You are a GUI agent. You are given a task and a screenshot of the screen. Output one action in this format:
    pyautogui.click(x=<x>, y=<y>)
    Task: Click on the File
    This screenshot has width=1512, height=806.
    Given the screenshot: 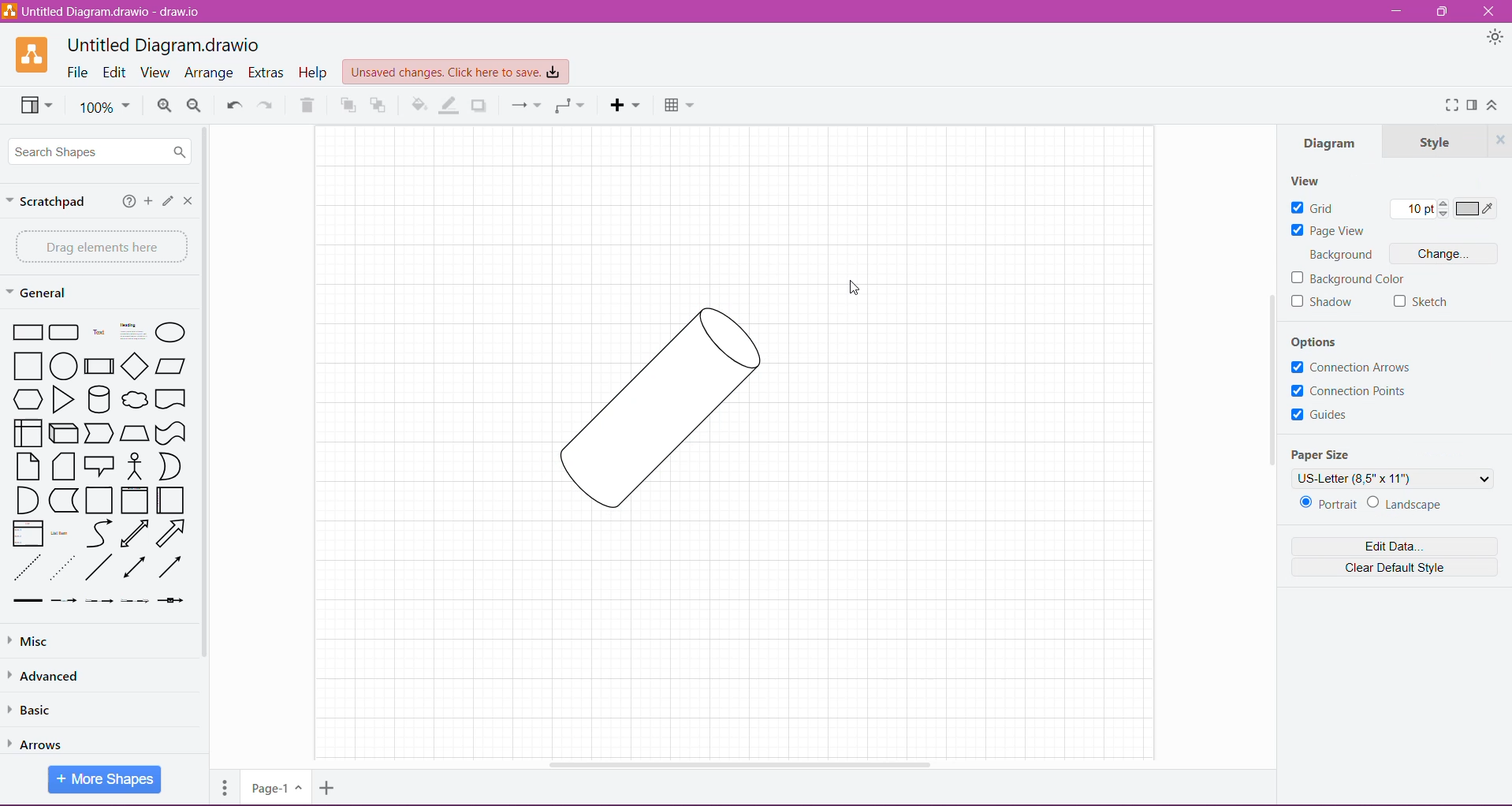 What is the action you would take?
    pyautogui.click(x=78, y=73)
    